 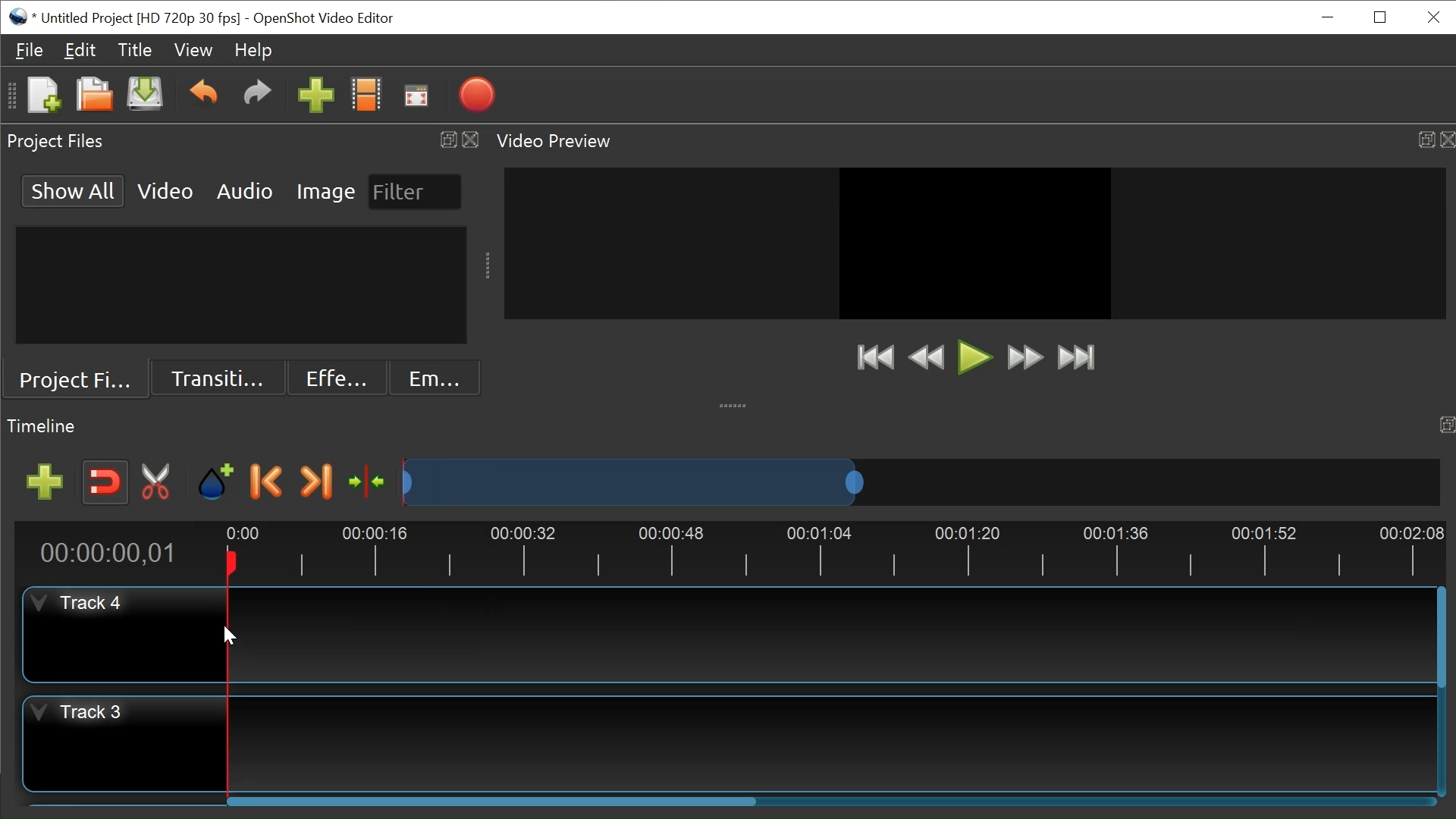 I want to click on File, so click(x=30, y=50).